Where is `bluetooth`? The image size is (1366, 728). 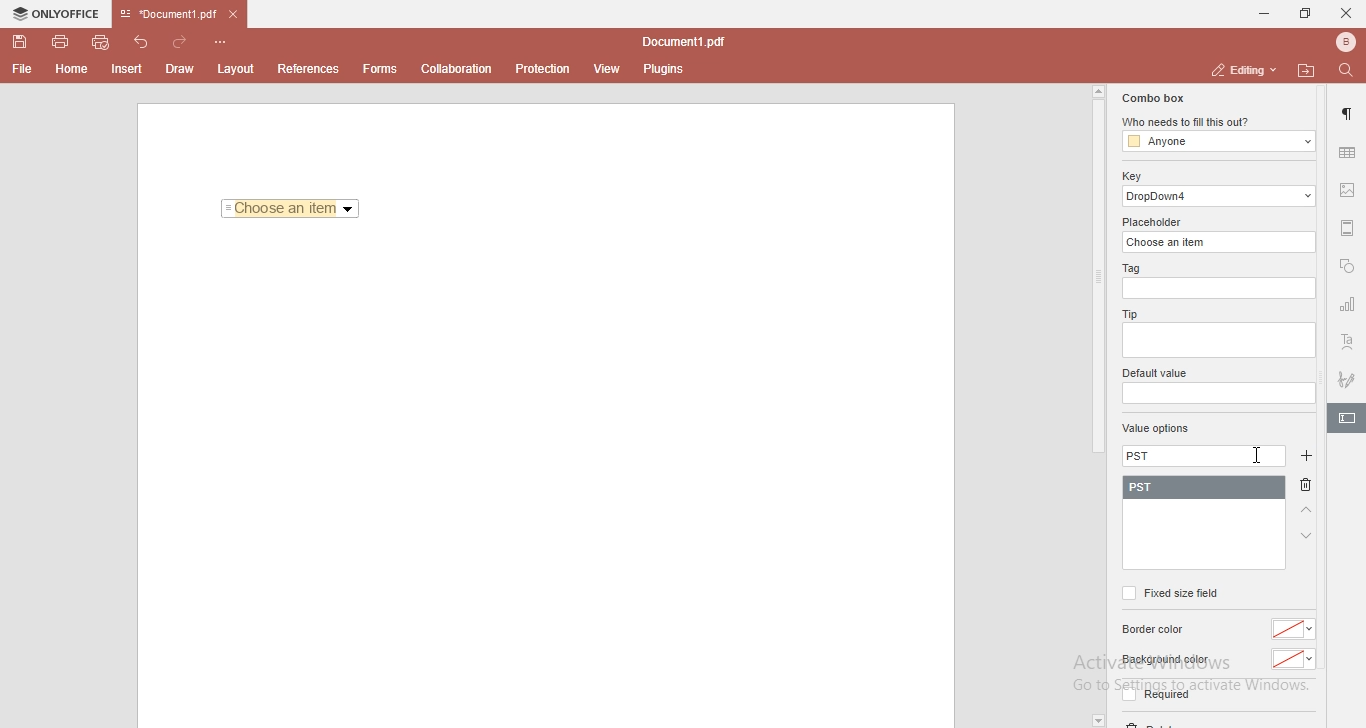
bluetooth is located at coordinates (1340, 42).